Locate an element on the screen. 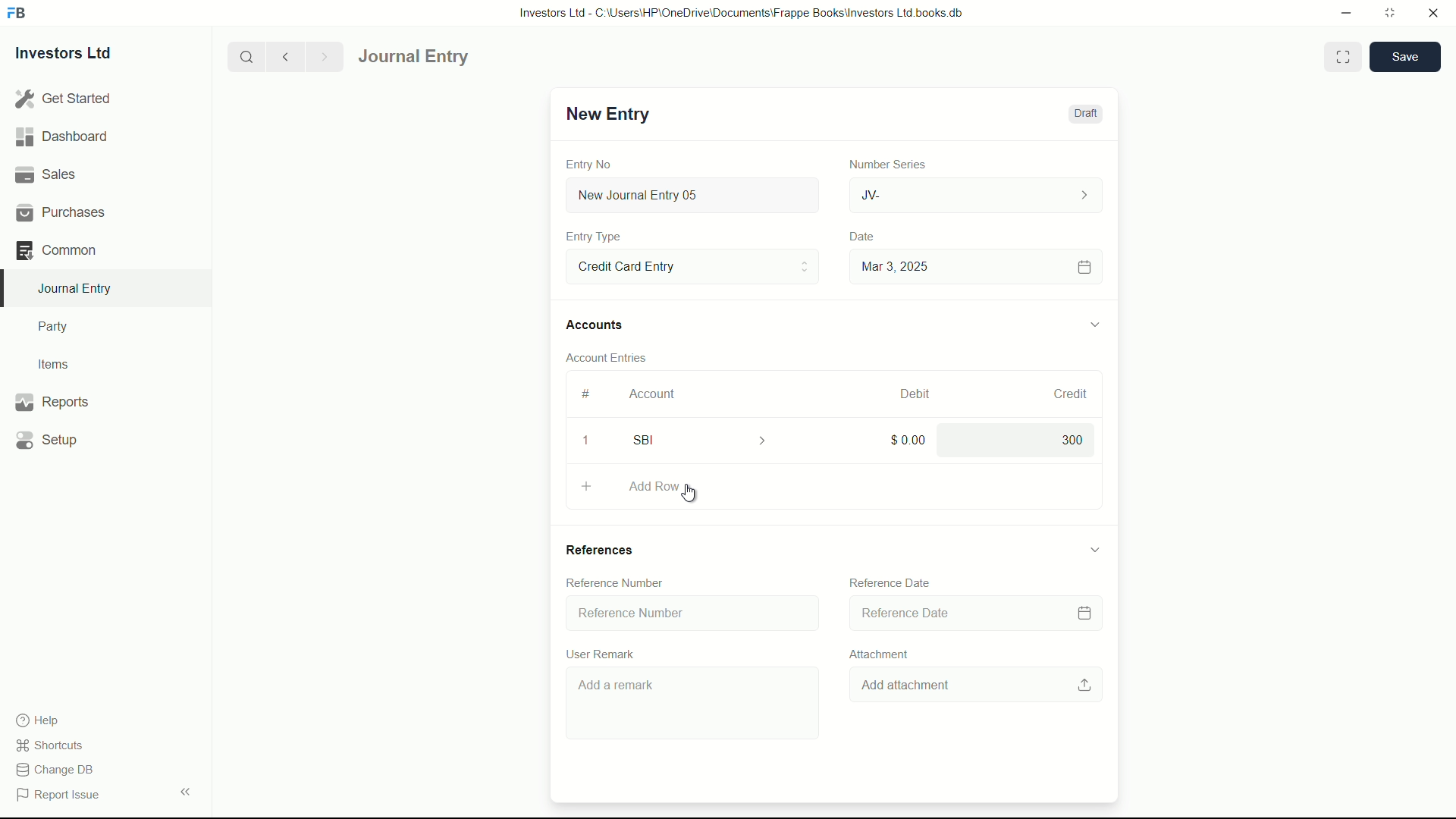  Next is located at coordinates (322, 56).